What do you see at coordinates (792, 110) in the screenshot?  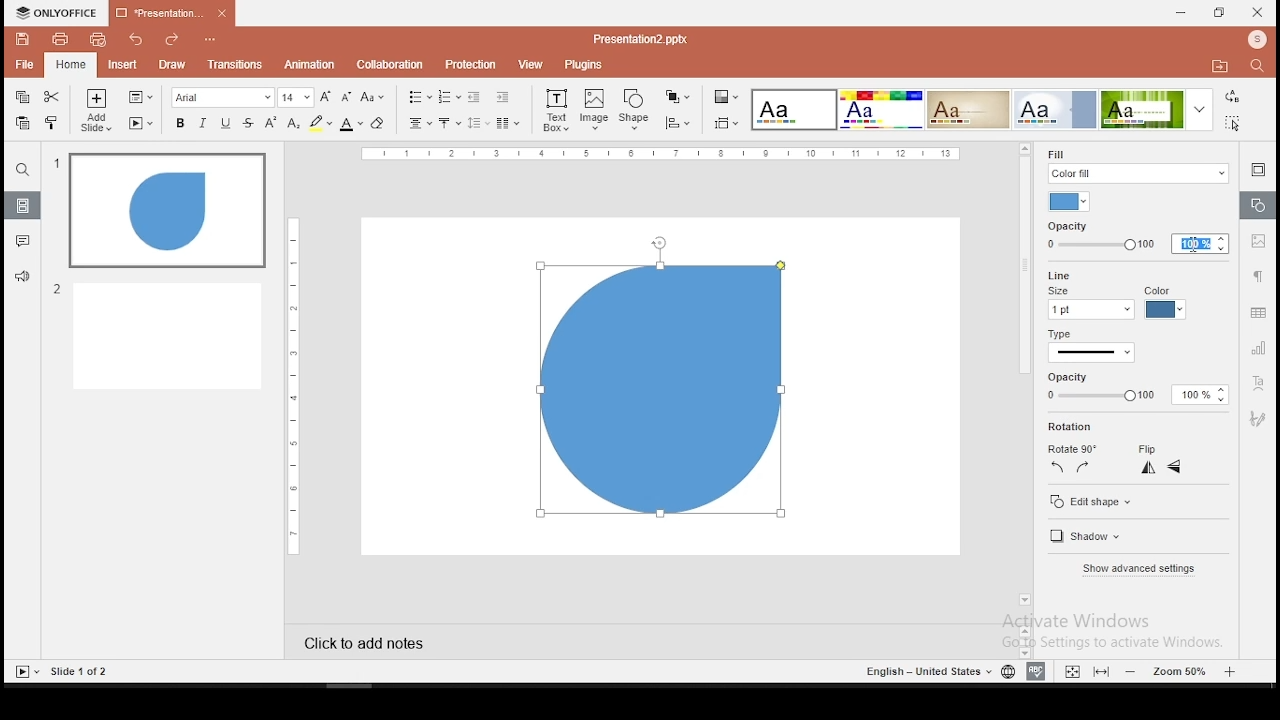 I see `theme` at bounding box center [792, 110].